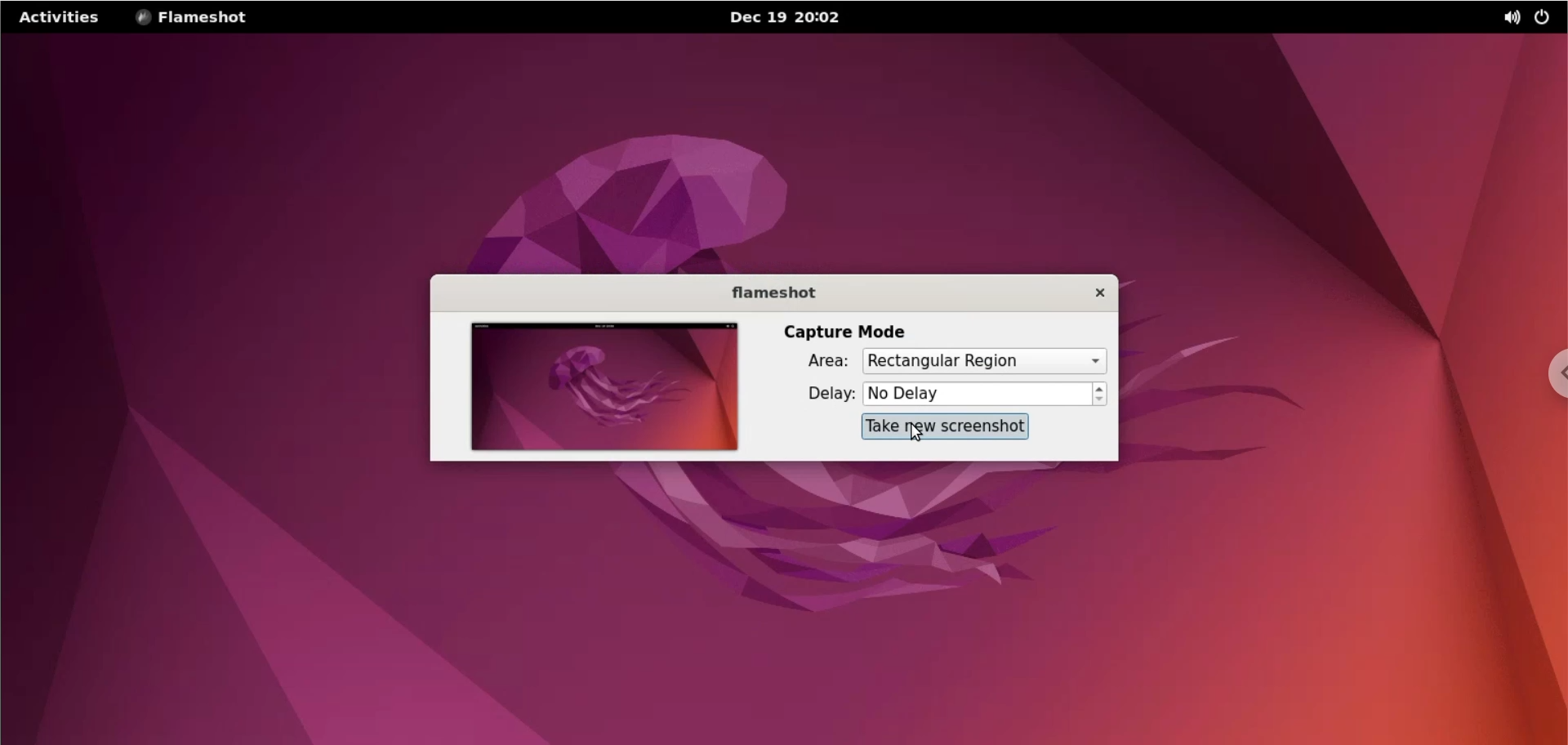  Describe the element at coordinates (842, 331) in the screenshot. I see `capture mode ` at that location.